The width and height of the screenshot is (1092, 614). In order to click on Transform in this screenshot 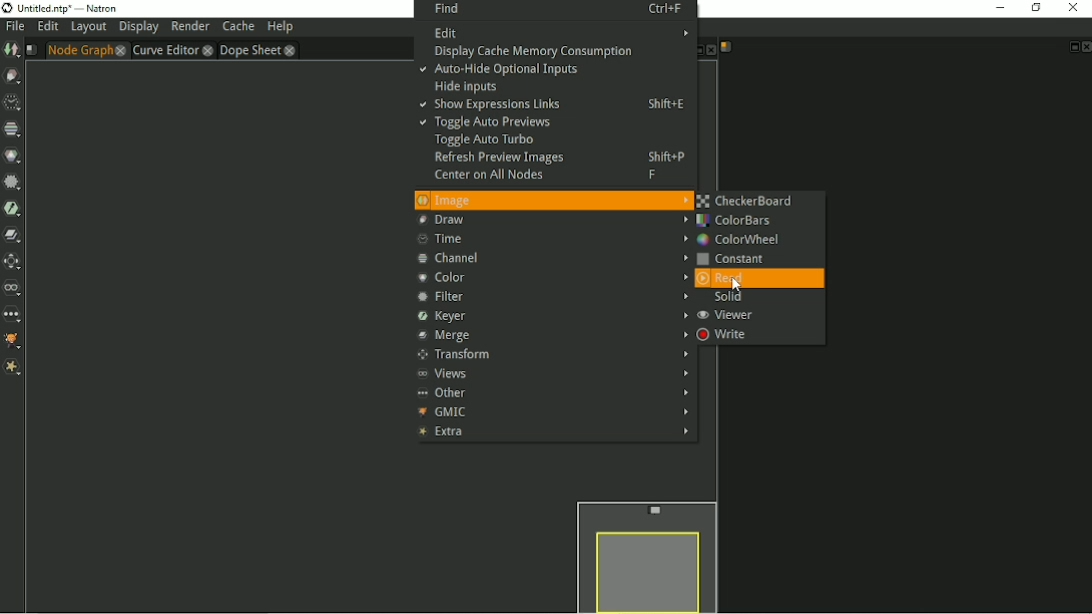, I will do `click(551, 355)`.